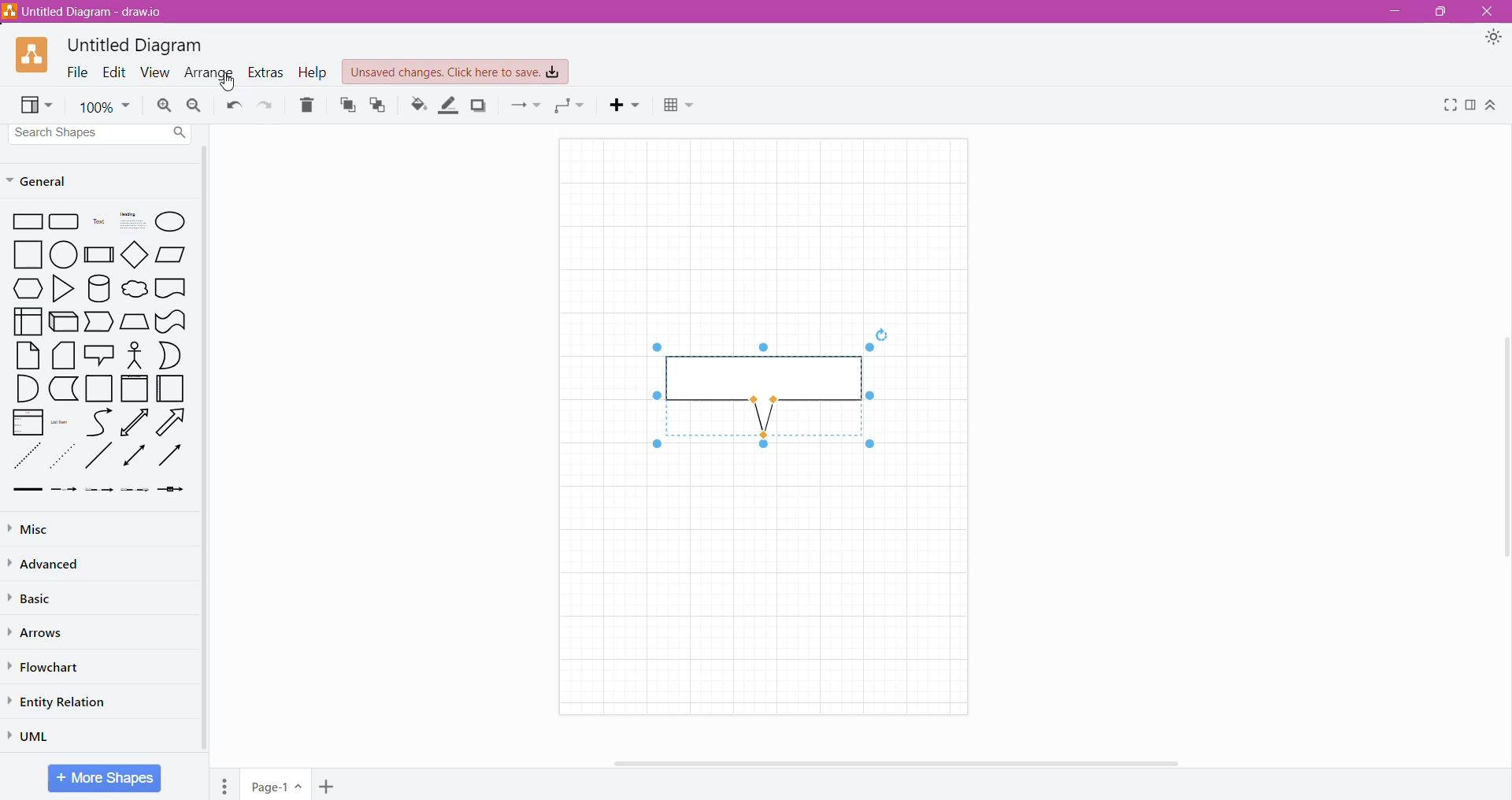 The image size is (1512, 800). I want to click on Zoom, so click(104, 105).